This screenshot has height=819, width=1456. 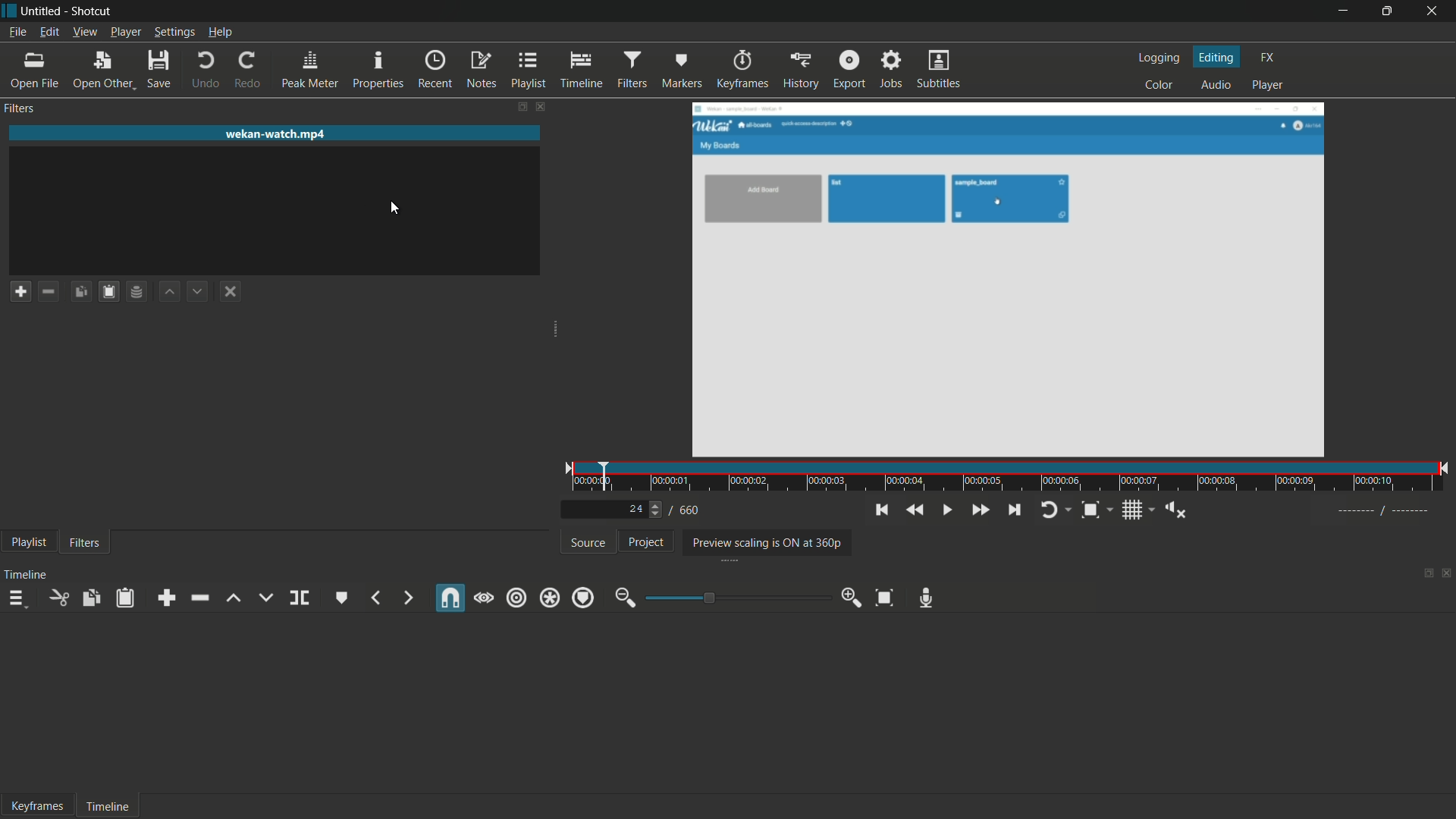 I want to click on change layout, so click(x=1426, y=575).